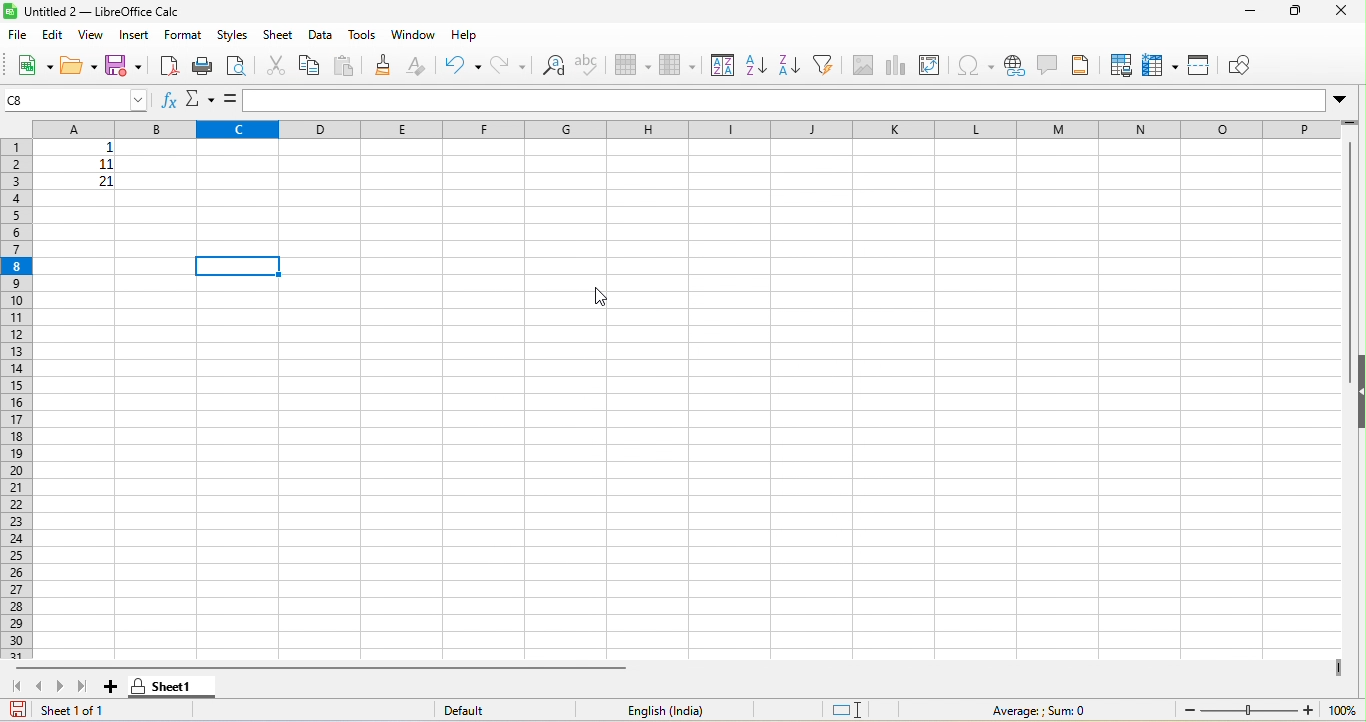  Describe the element at coordinates (766, 65) in the screenshot. I see `sort ascending` at that location.